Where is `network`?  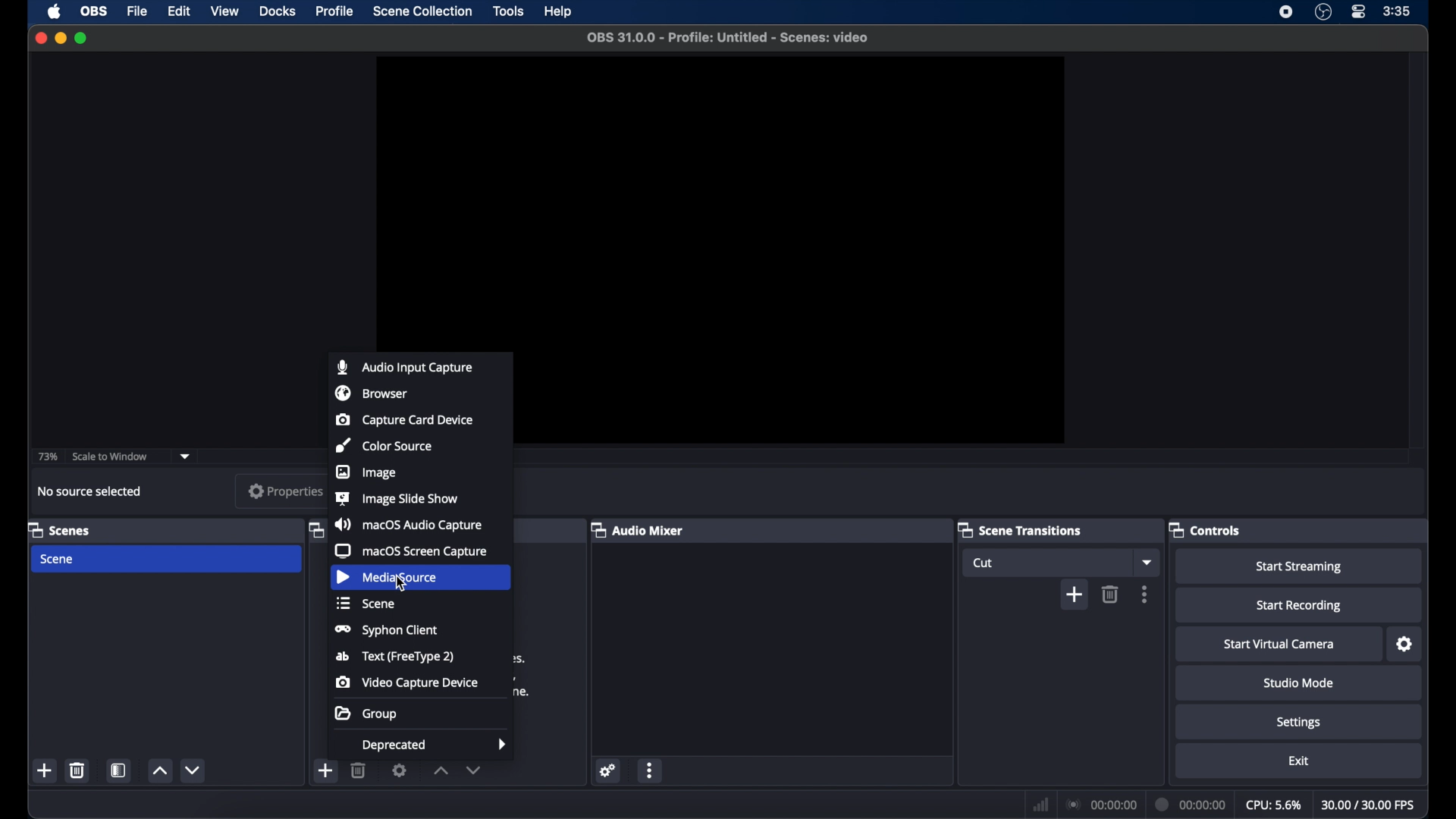
network is located at coordinates (1039, 803).